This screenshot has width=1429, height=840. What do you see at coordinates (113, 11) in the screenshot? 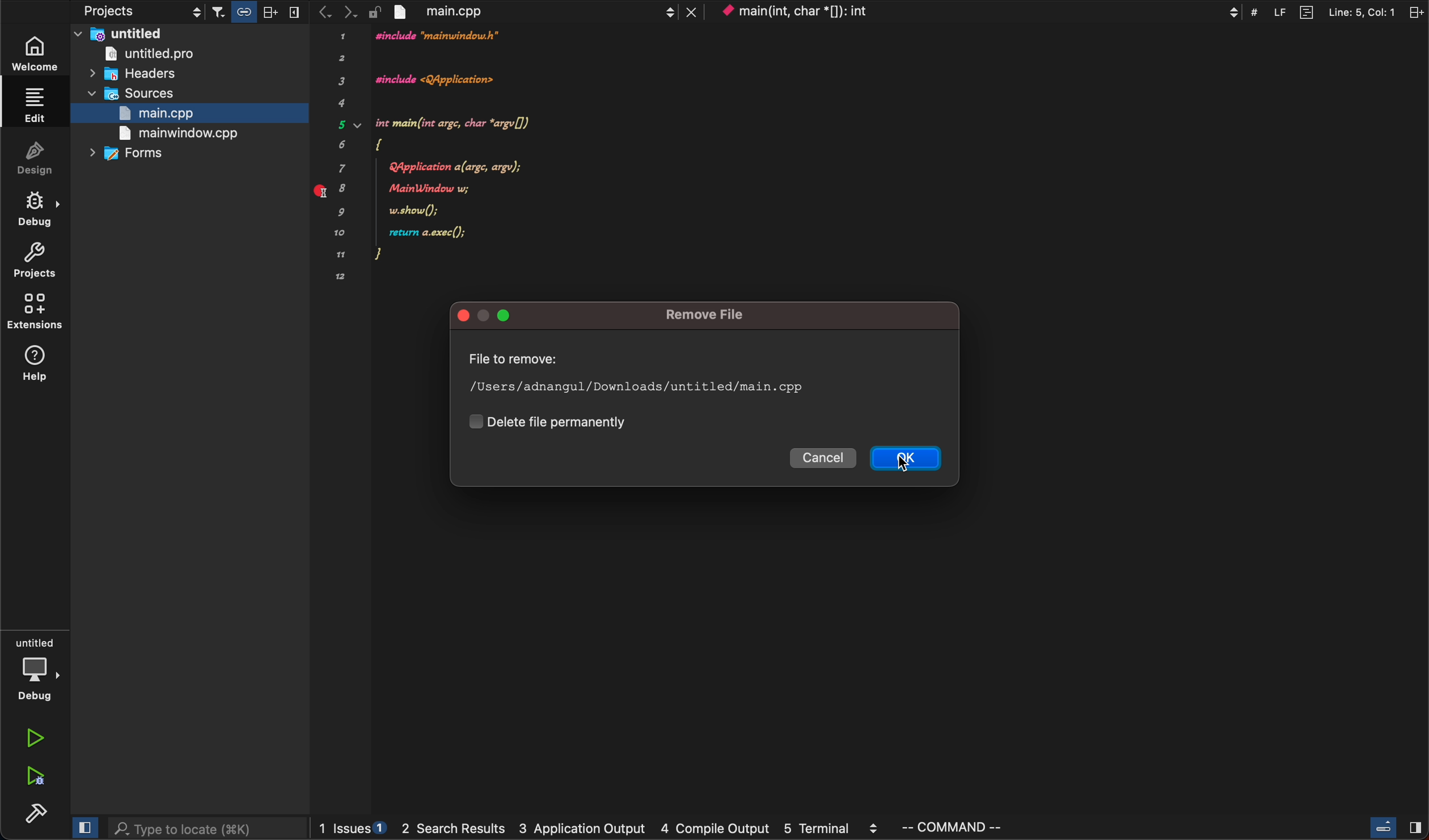
I see `projects` at bounding box center [113, 11].